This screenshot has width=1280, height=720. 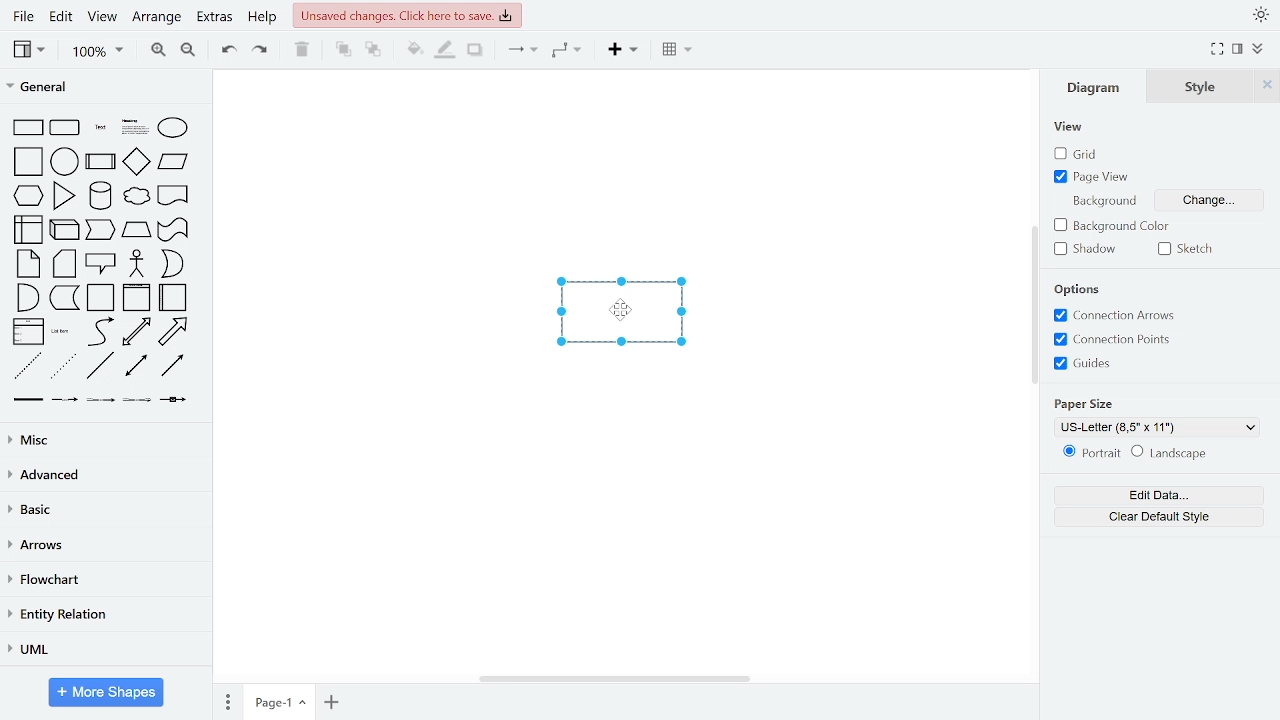 I want to click on general shapes, so click(x=101, y=298).